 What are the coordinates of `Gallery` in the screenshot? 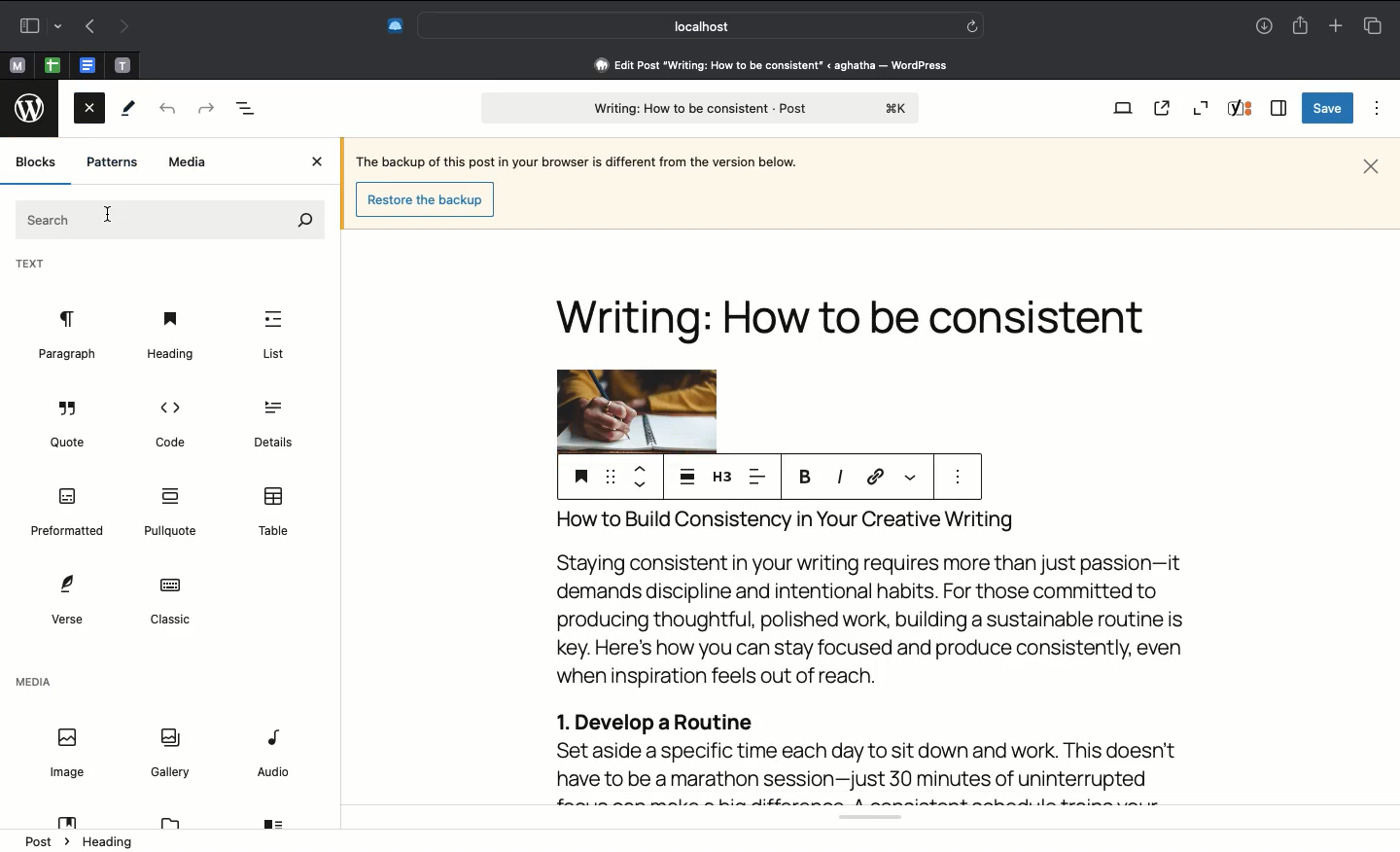 It's located at (170, 751).